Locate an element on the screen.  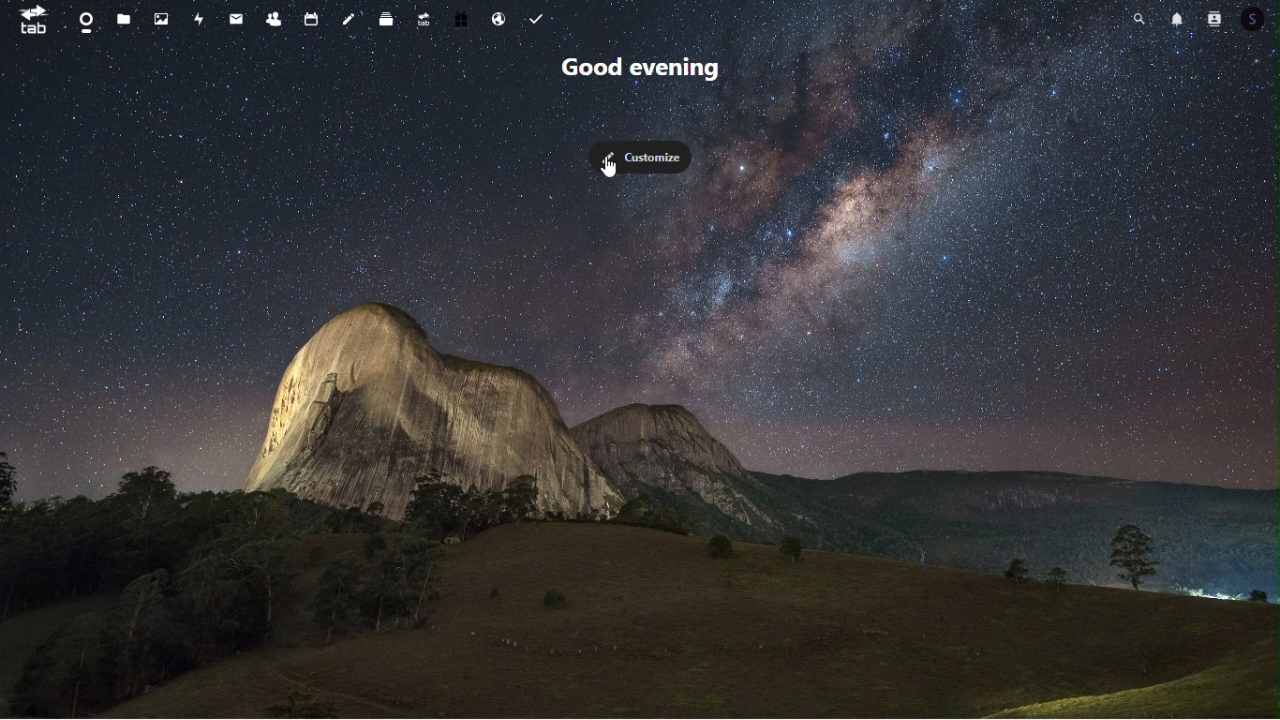
task is located at coordinates (540, 17).